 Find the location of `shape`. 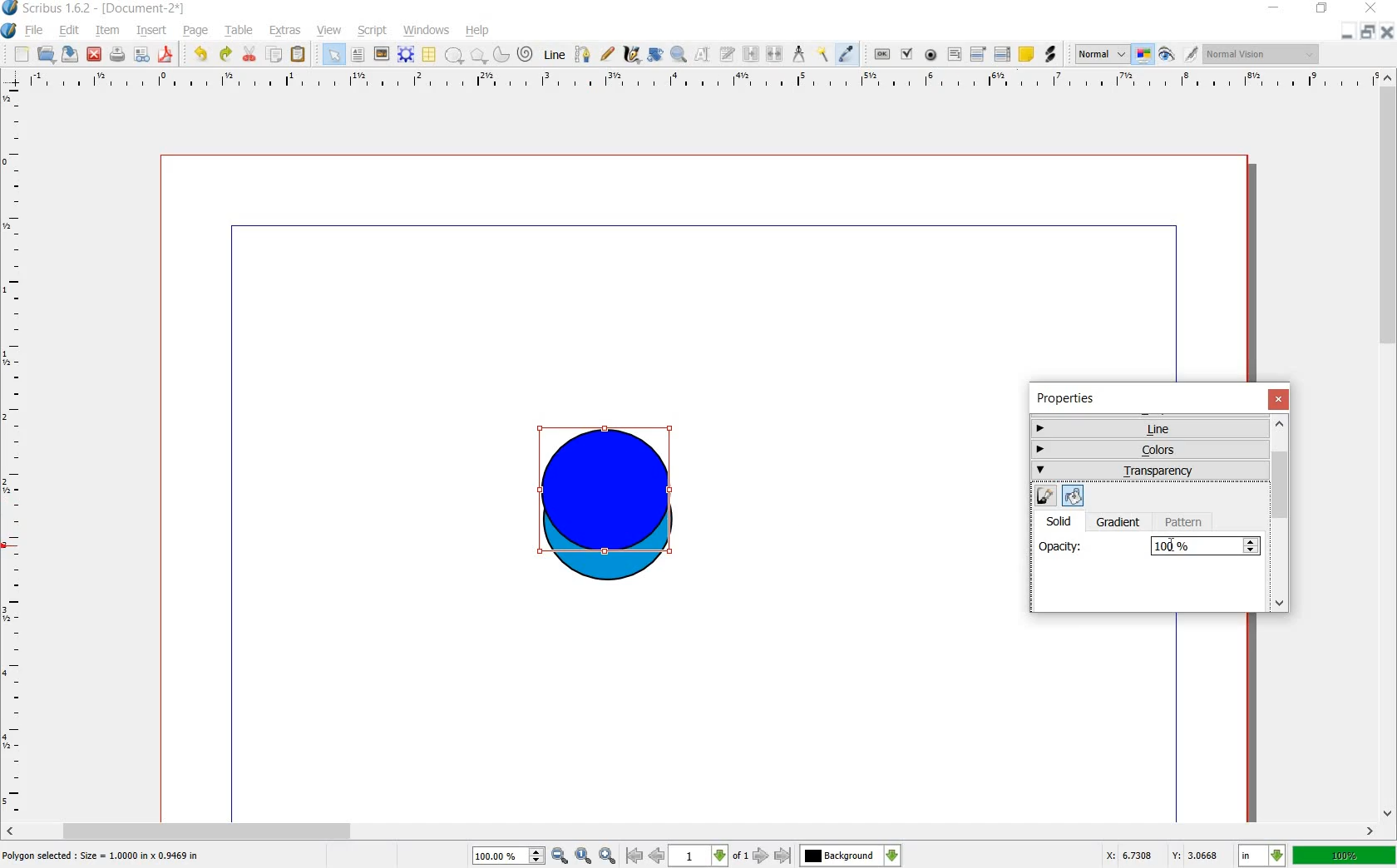

shape is located at coordinates (455, 56).